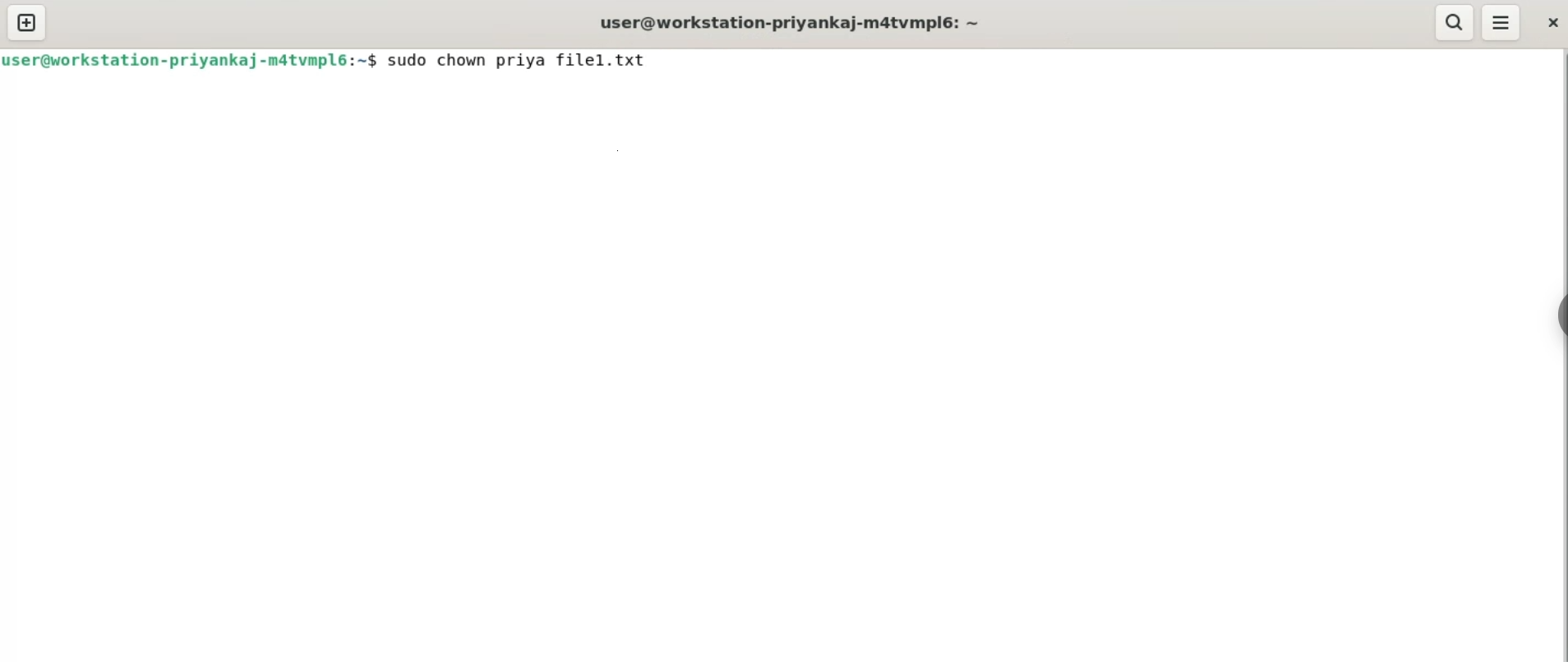 Image resolution: width=1568 pixels, height=662 pixels. I want to click on user@workstation-priyankaj-m4tvmpl6: ~$, so click(191, 59).